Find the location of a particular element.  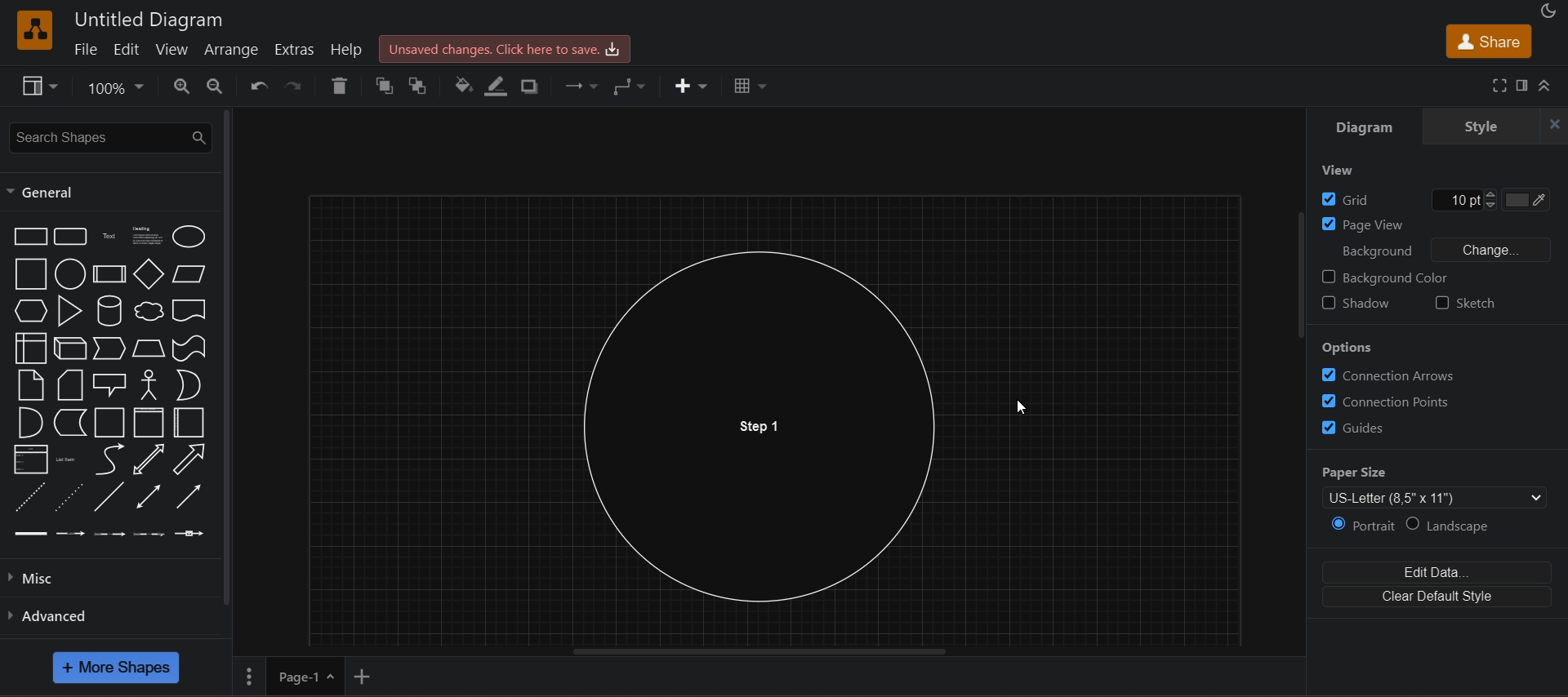

callout is located at coordinates (111, 387).